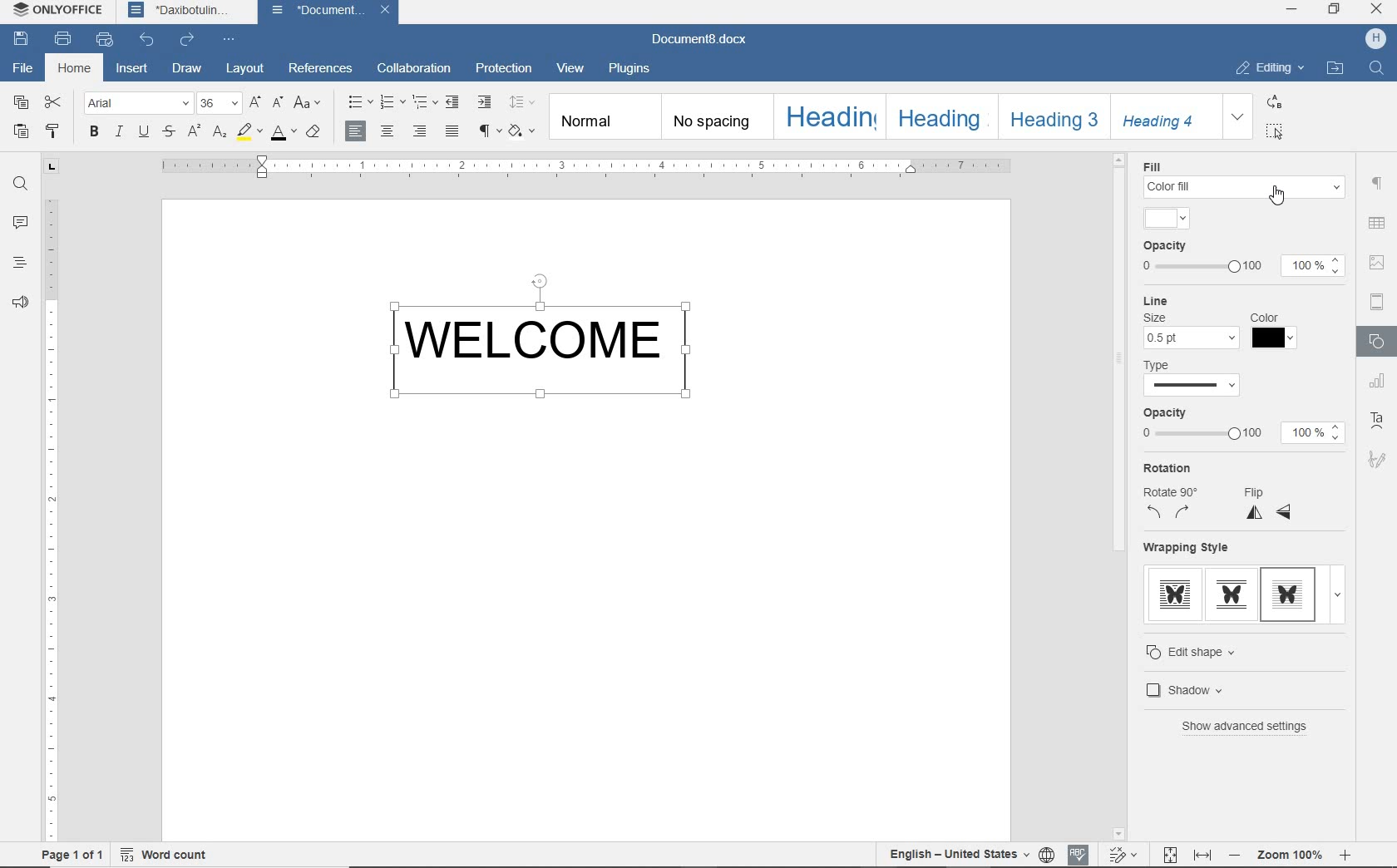 The image size is (1397, 868). Describe the element at coordinates (487, 131) in the screenshot. I see `NONPRINTING CHARACTERS` at that location.